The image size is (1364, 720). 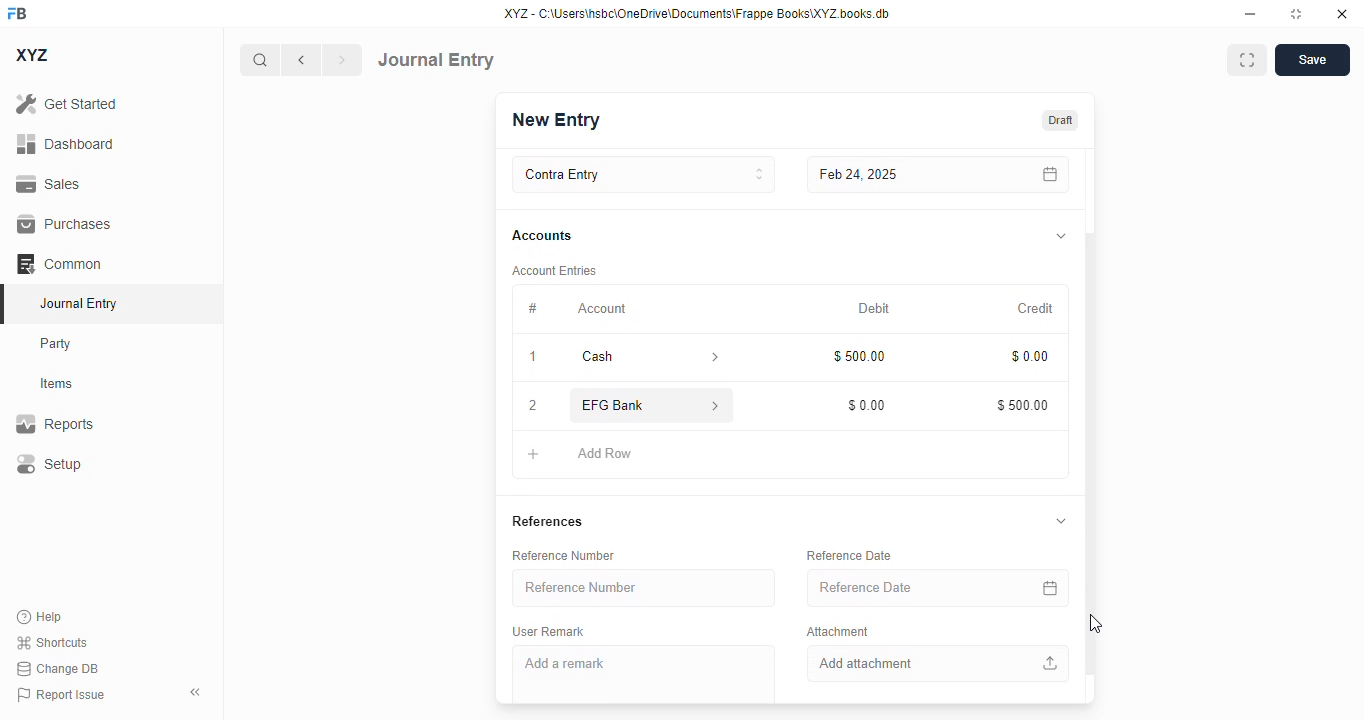 I want to click on account information, so click(x=714, y=405).